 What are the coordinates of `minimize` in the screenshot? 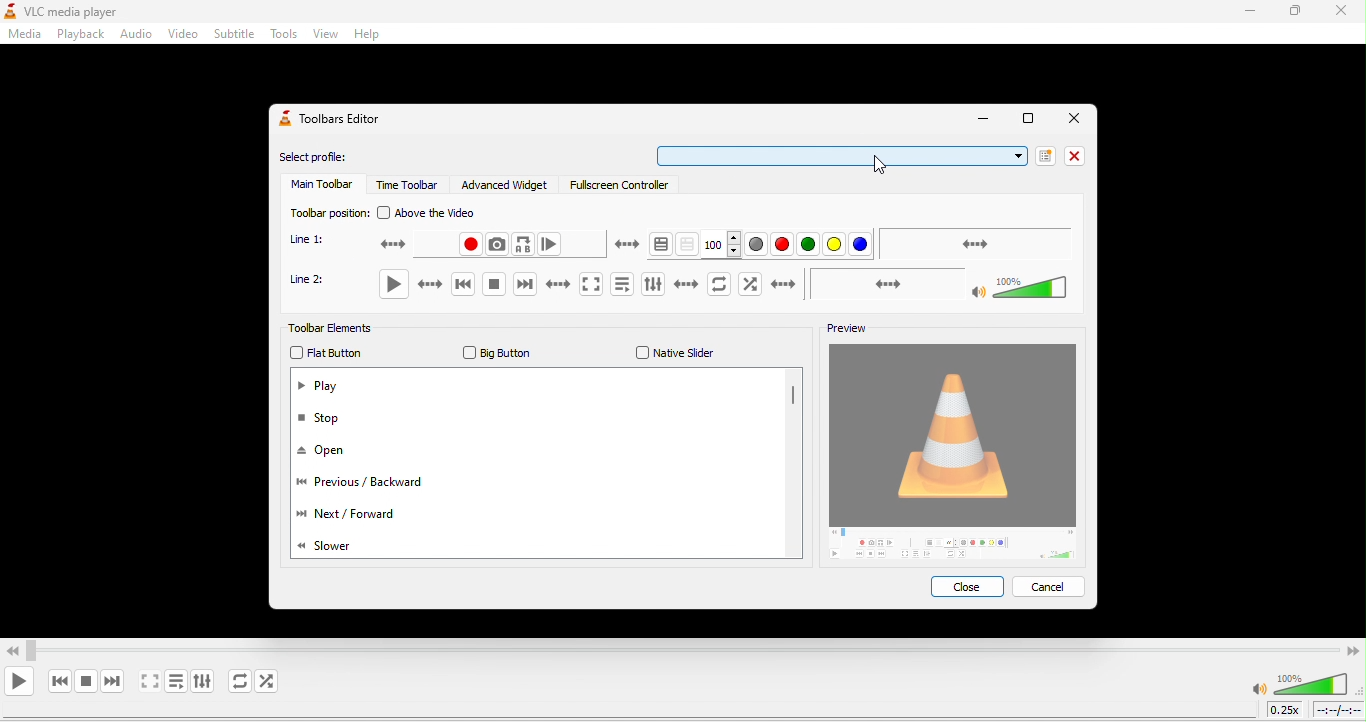 It's located at (982, 120).